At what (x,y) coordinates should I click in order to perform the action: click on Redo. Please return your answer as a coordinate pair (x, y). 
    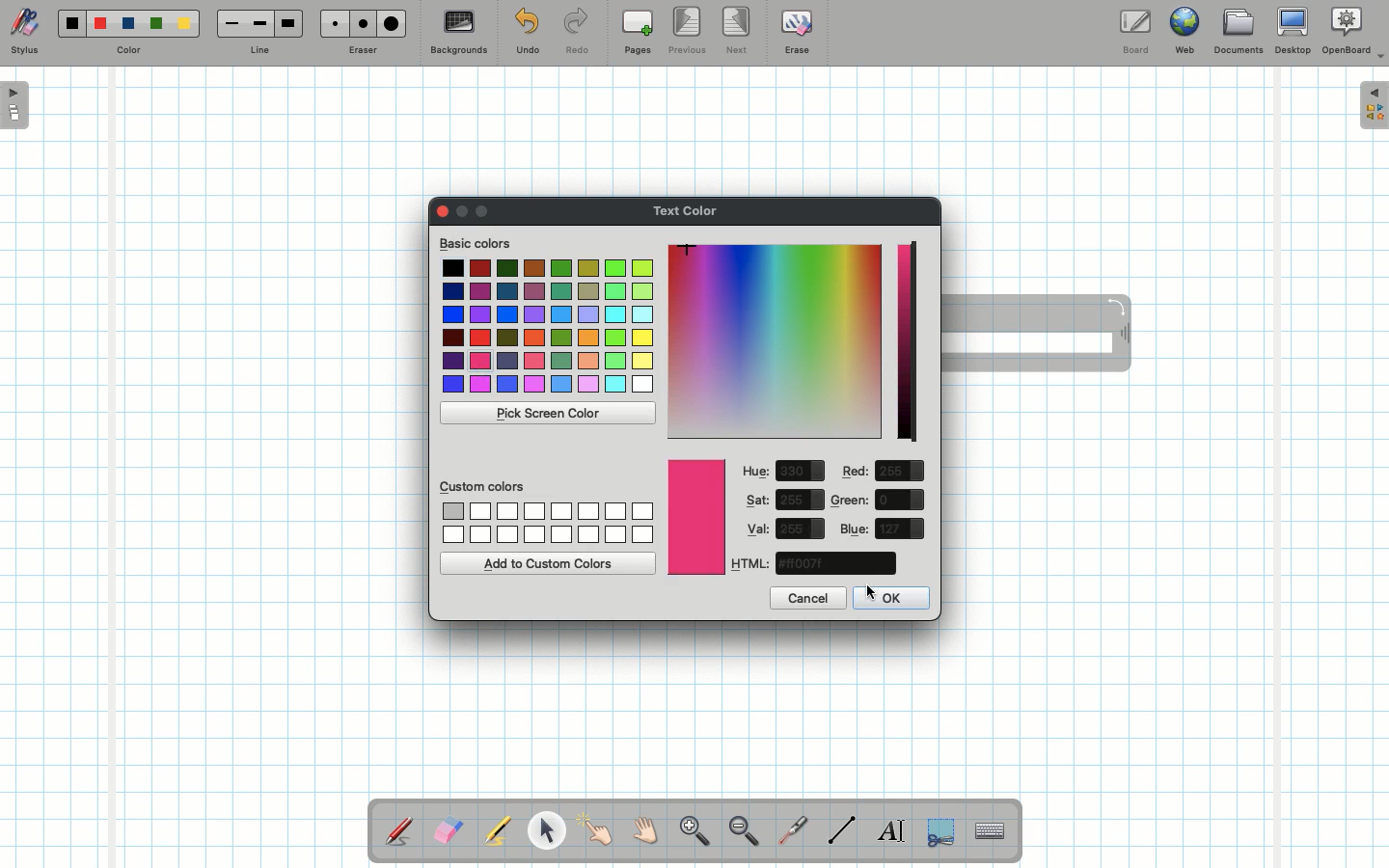
    Looking at the image, I should click on (577, 35).